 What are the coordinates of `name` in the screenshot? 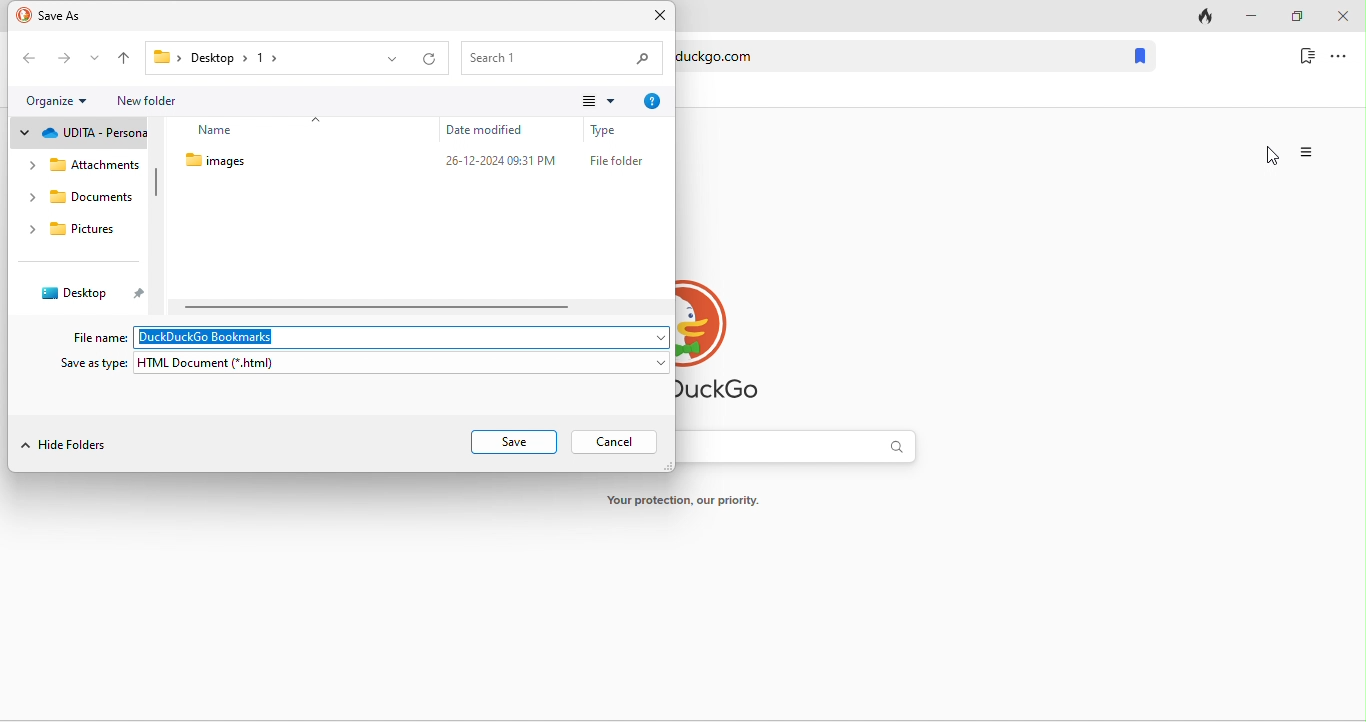 It's located at (275, 127).